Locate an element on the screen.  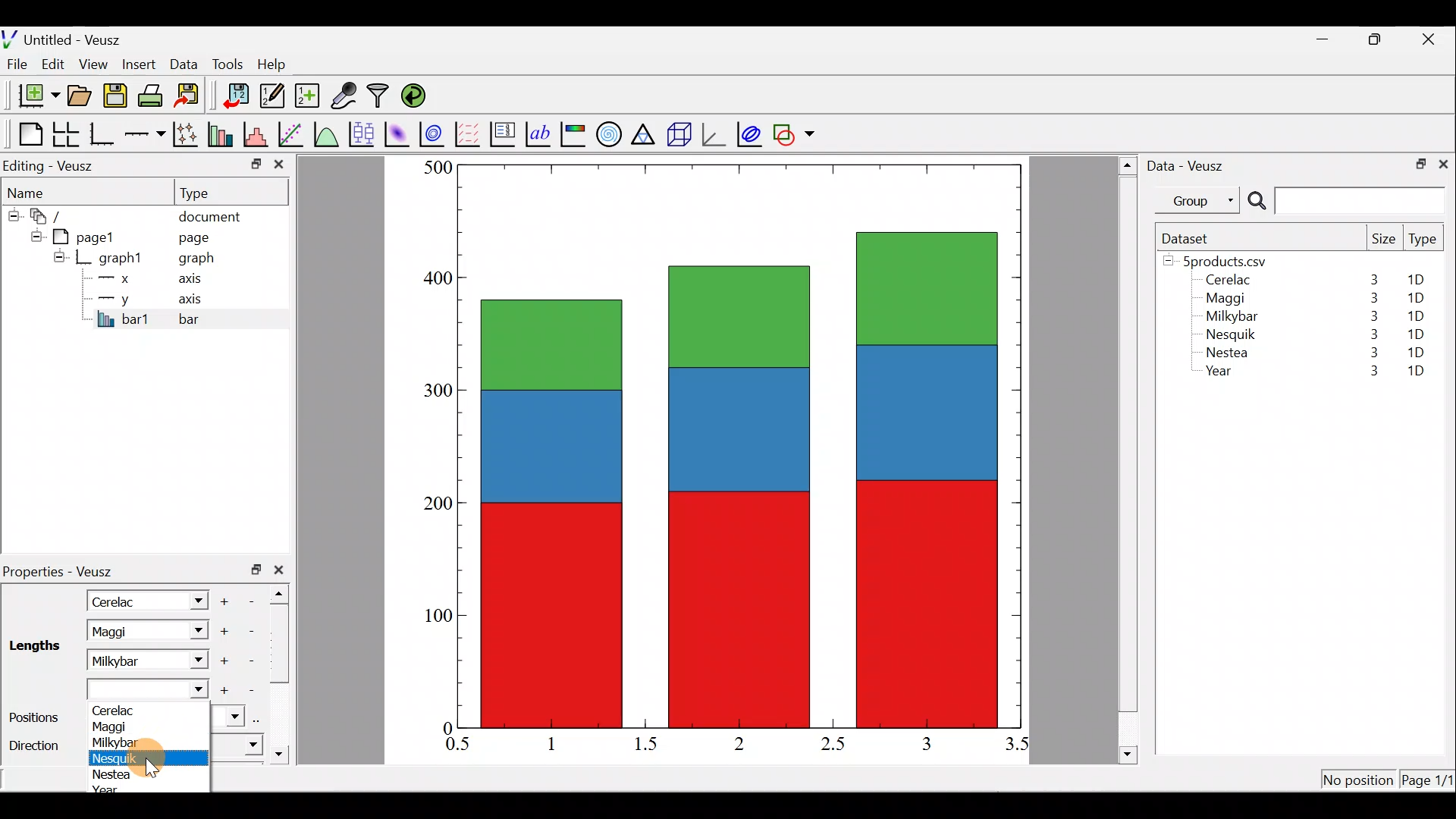
Nestea is located at coordinates (115, 773).